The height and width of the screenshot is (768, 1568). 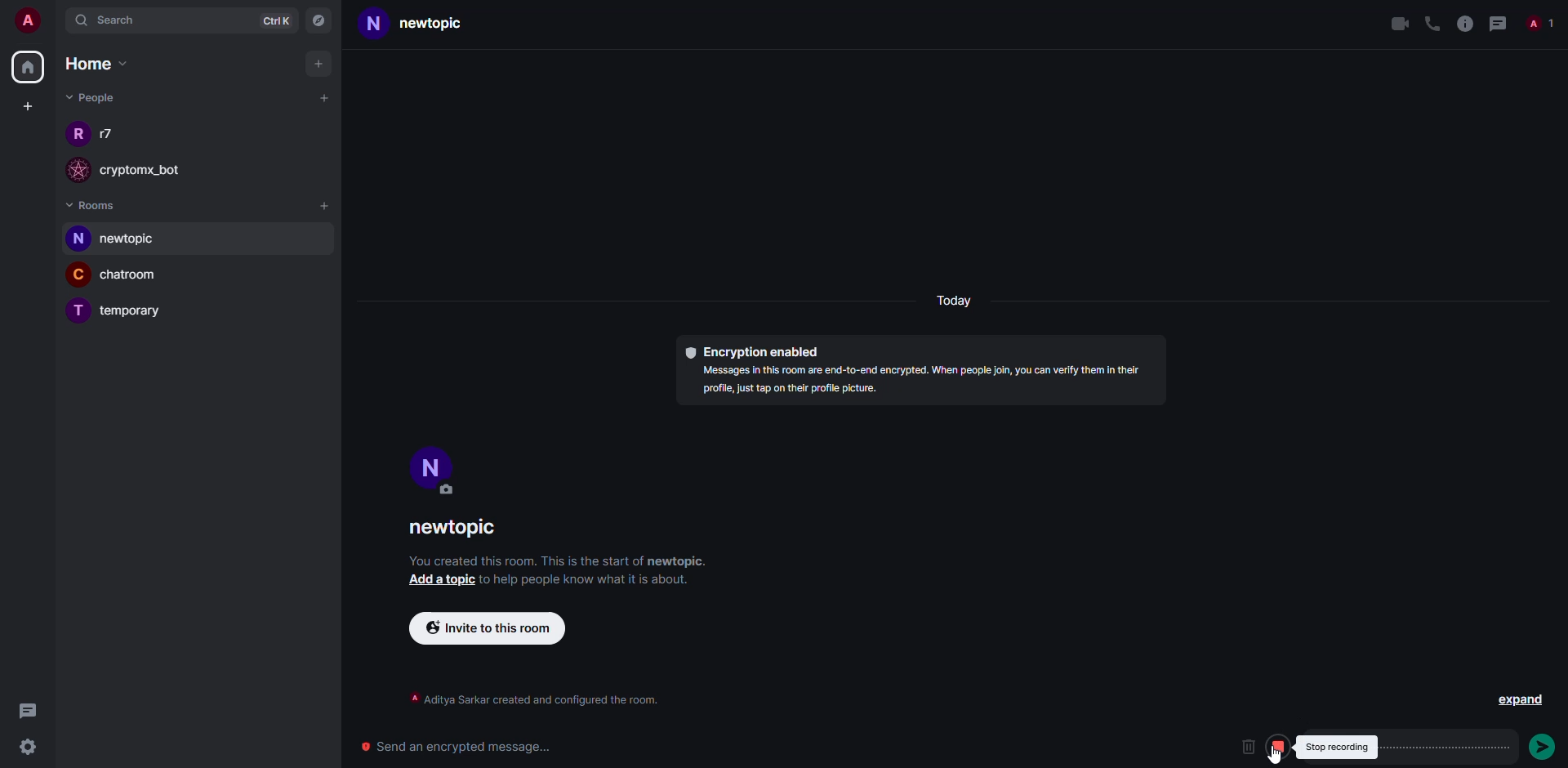 What do you see at coordinates (98, 205) in the screenshot?
I see `rooms` at bounding box center [98, 205].